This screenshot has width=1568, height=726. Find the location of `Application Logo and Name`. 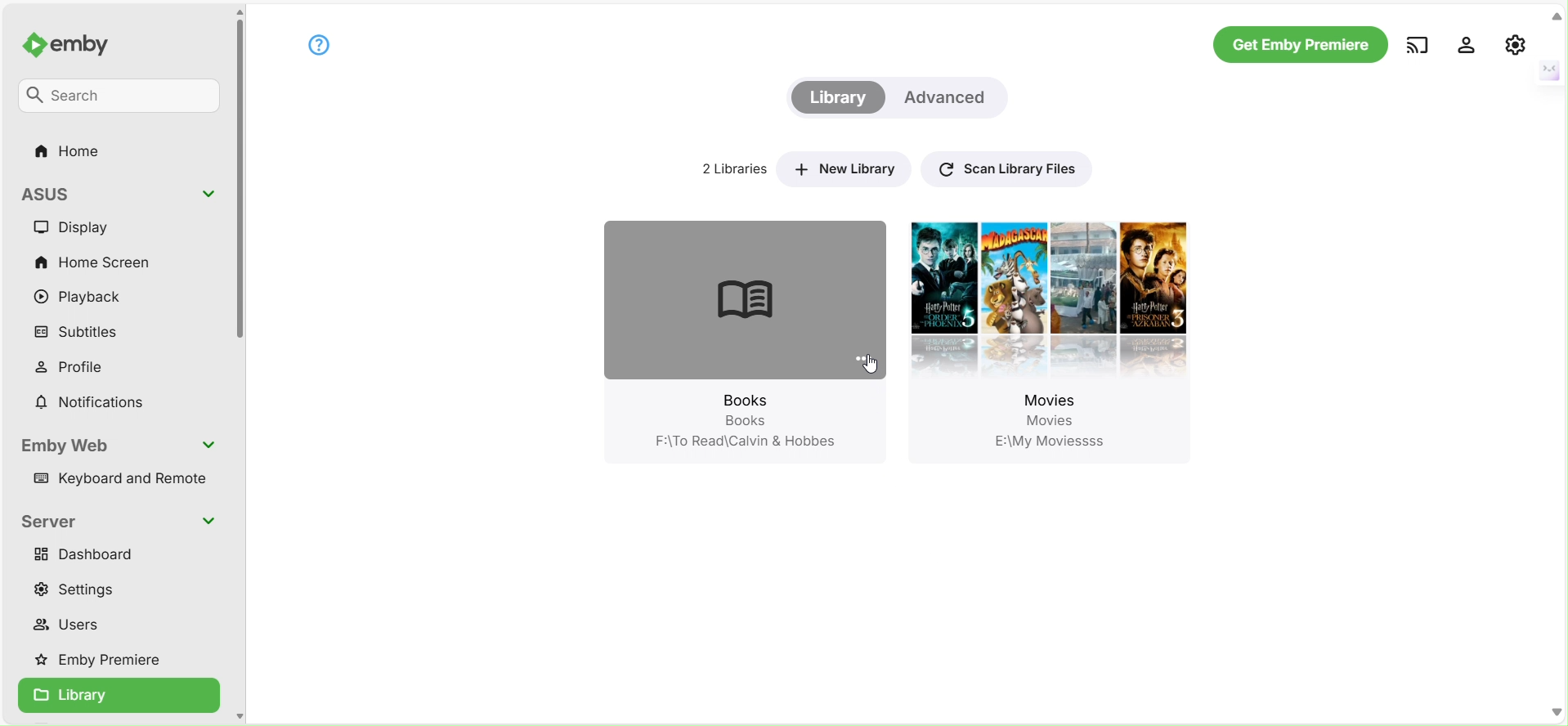

Application Logo and Name is located at coordinates (77, 47).